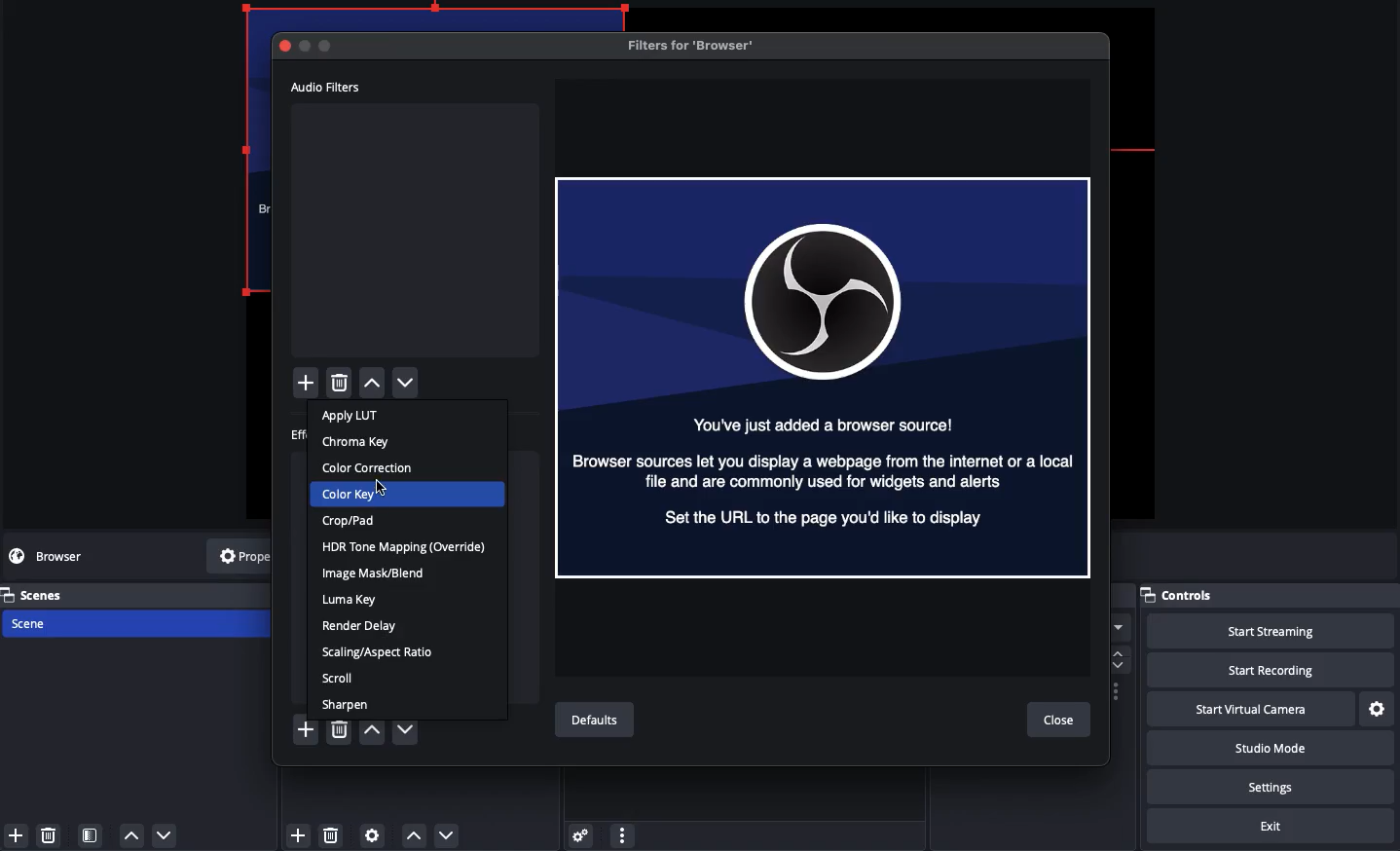 The image size is (1400, 851). What do you see at coordinates (696, 45) in the screenshot?
I see `Filters for browser` at bounding box center [696, 45].